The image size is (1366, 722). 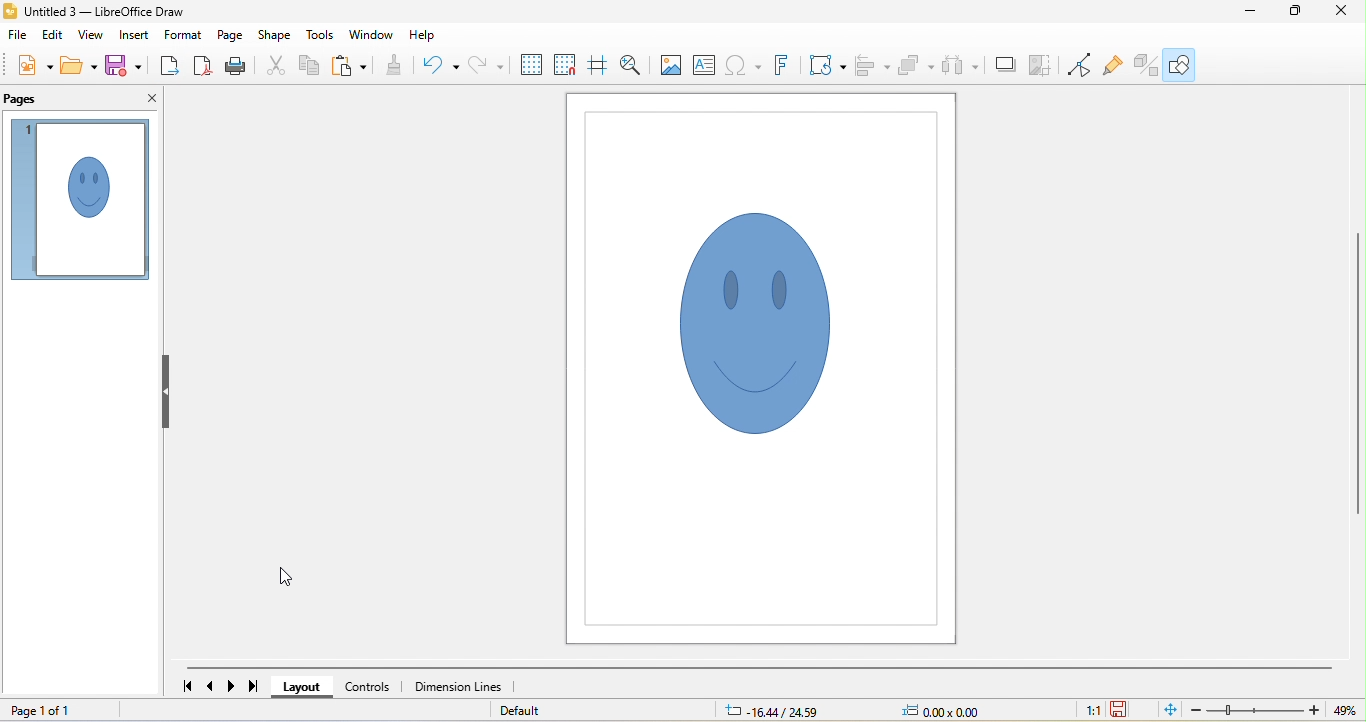 I want to click on zoom and pan, so click(x=633, y=67).